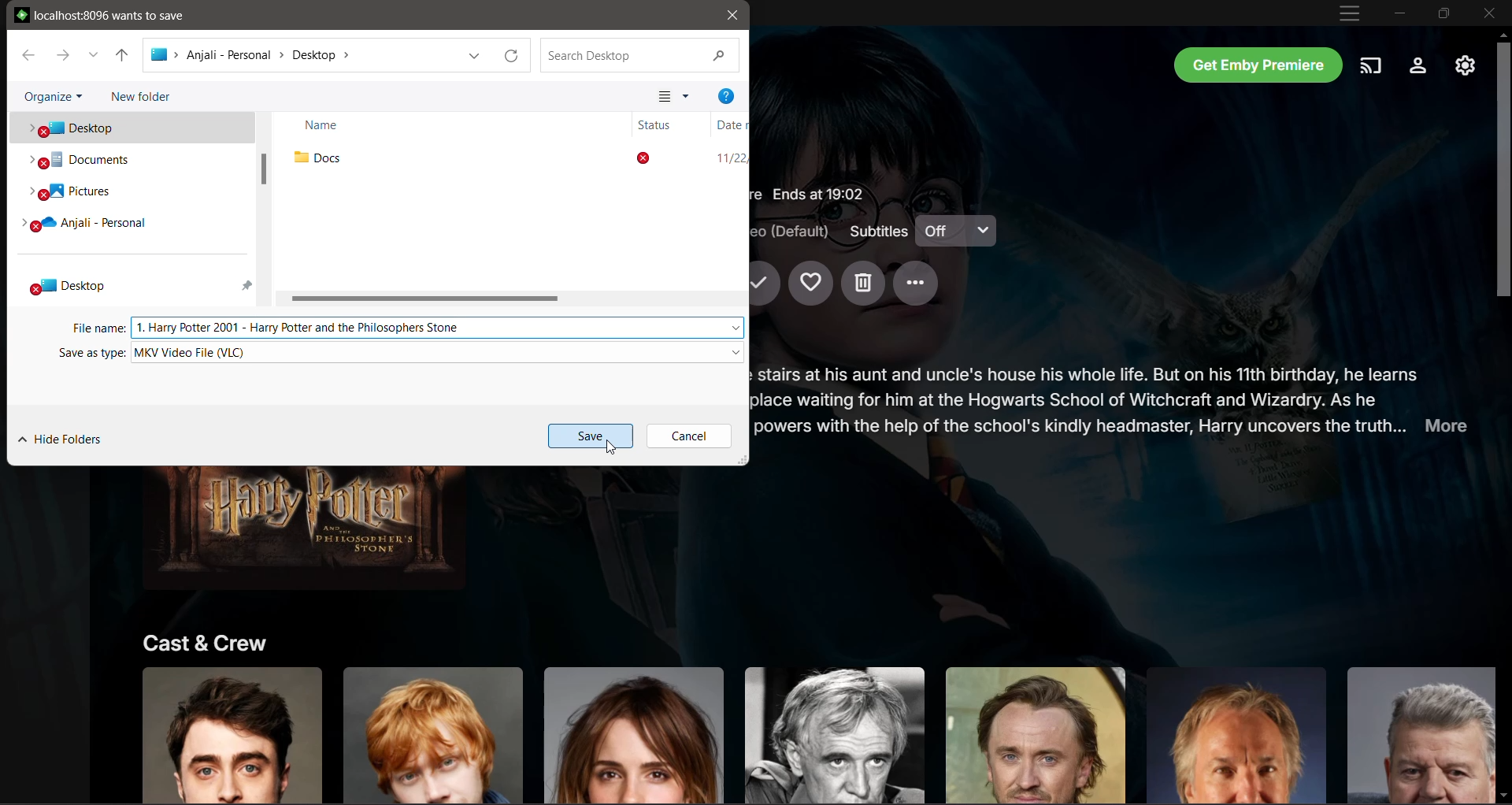 The image size is (1512, 805). What do you see at coordinates (956, 230) in the screenshot?
I see `Subtitles on/off` at bounding box center [956, 230].